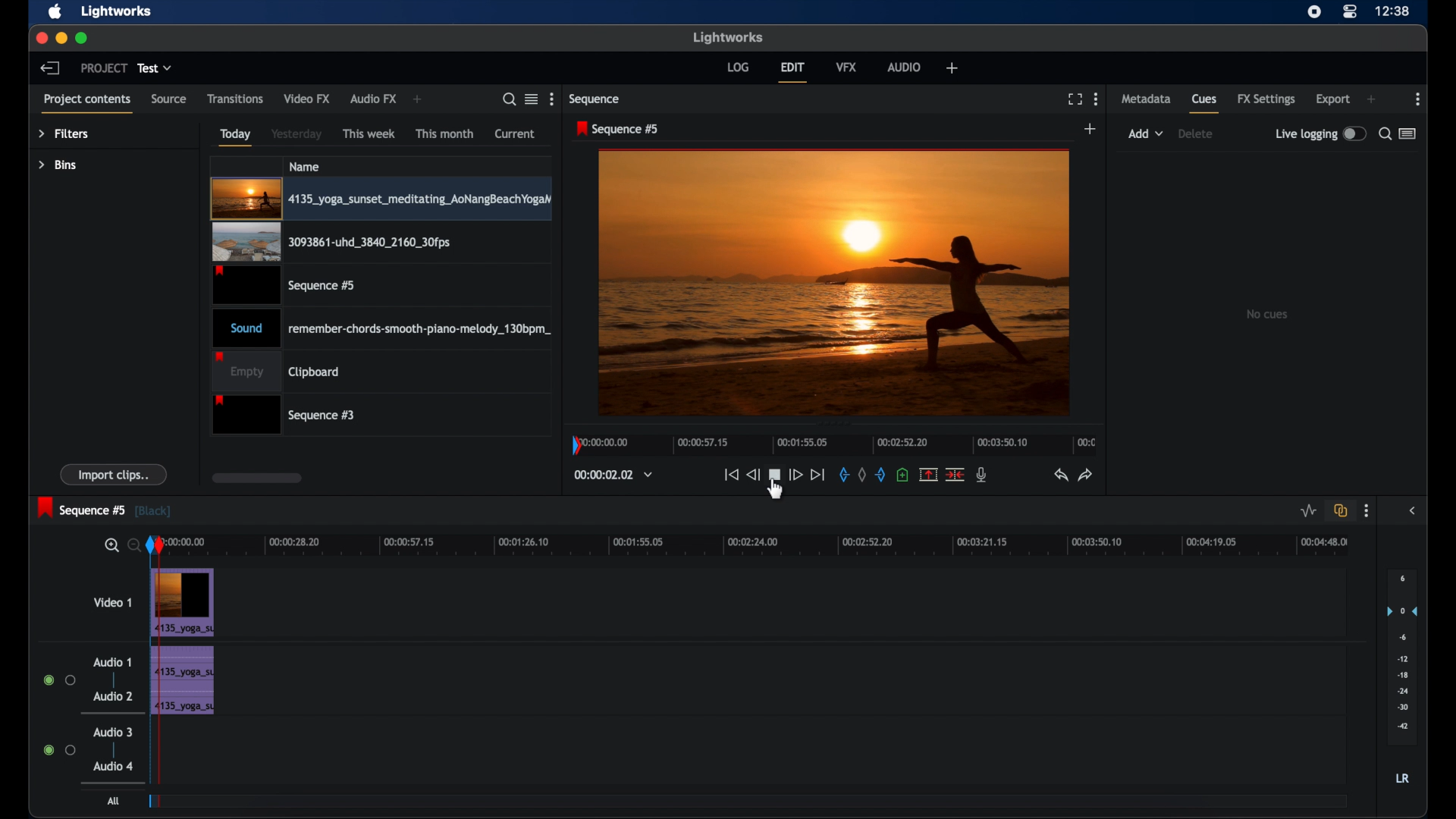 The image size is (1456, 819). I want to click on no clips, so click(1268, 313).